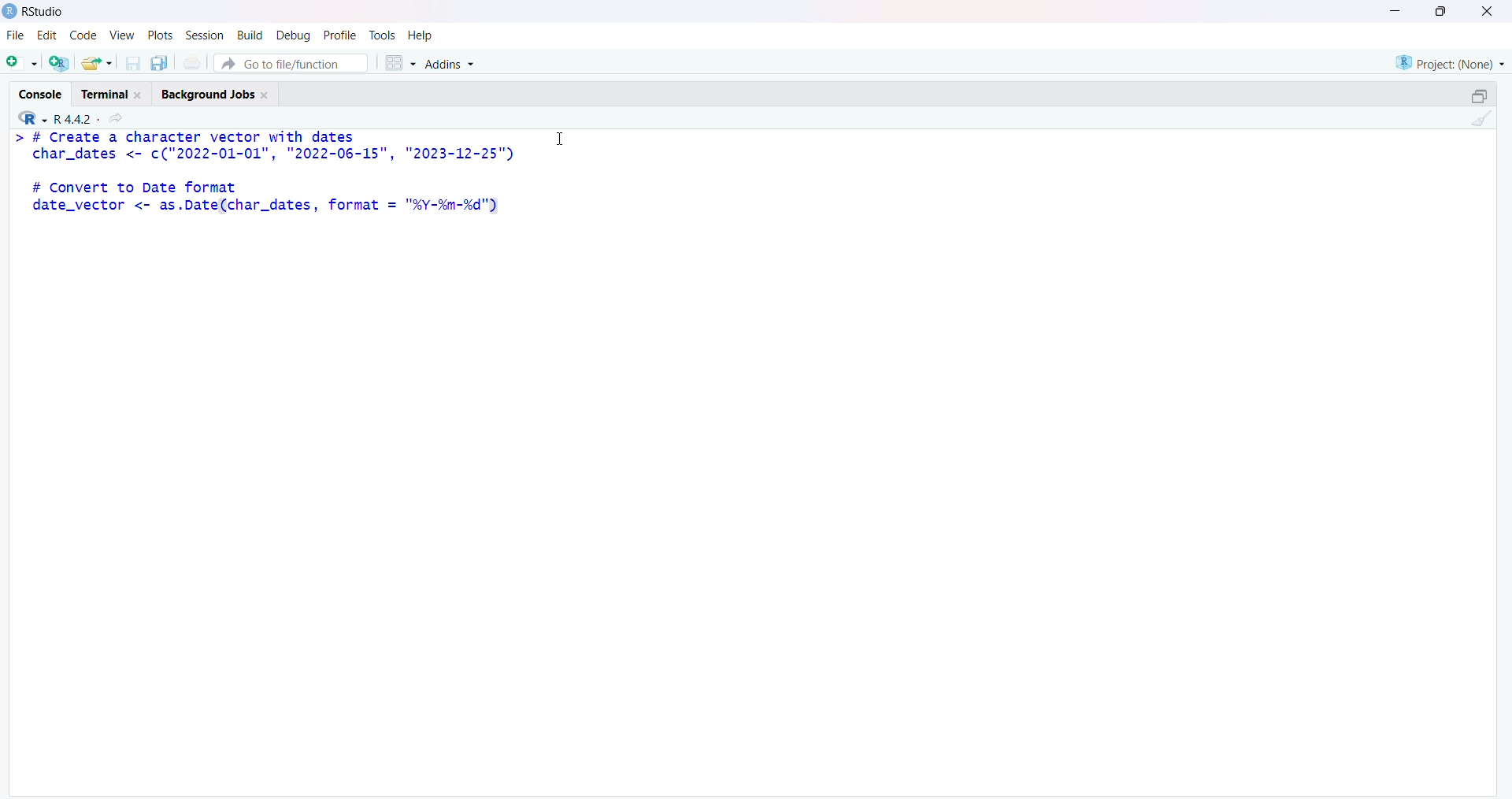  I want to click on Terminal, so click(113, 91).